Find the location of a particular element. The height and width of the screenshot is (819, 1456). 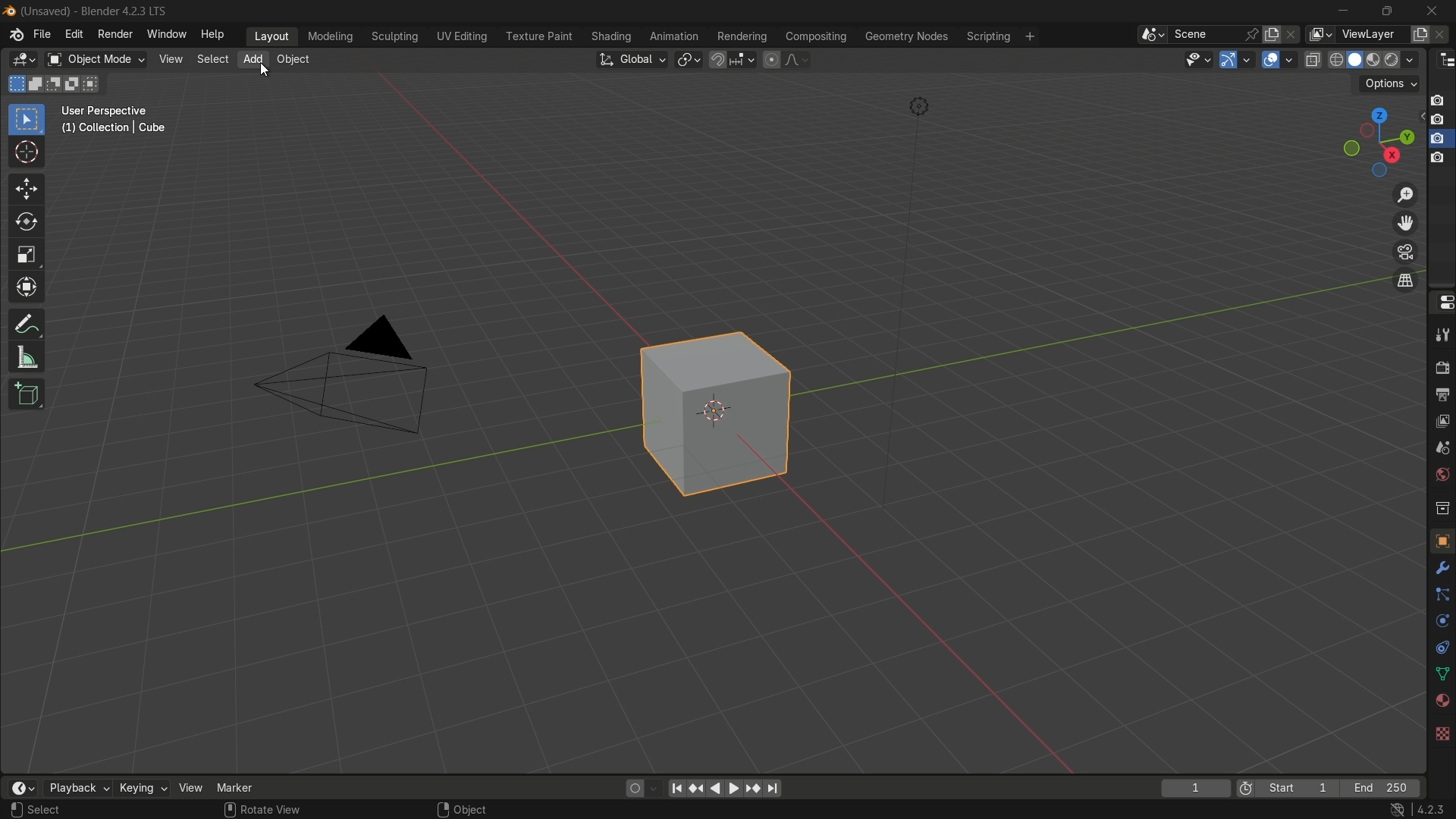

auto keyframe is located at coordinates (653, 789).